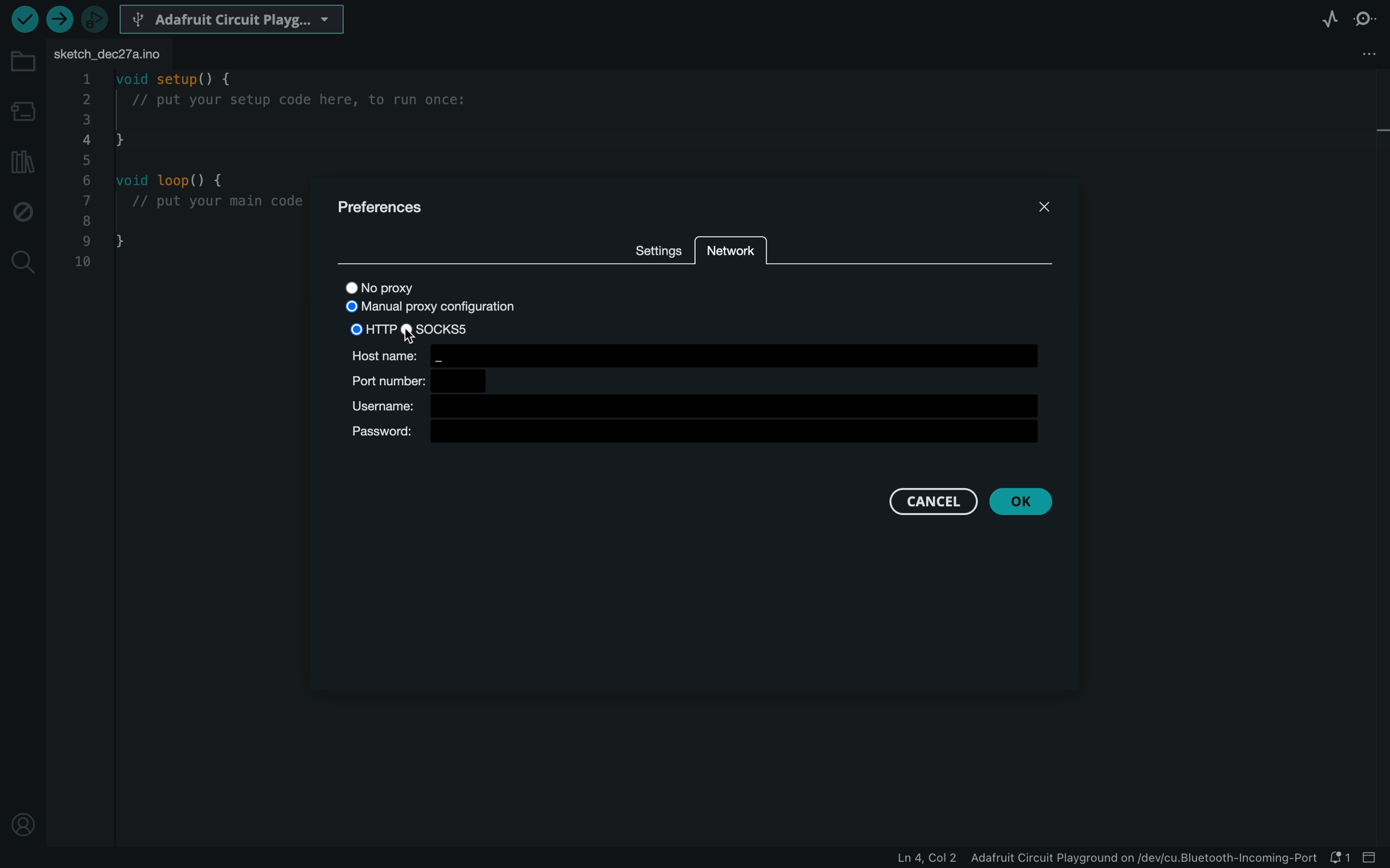  I want to click on no proxy, so click(394, 286).